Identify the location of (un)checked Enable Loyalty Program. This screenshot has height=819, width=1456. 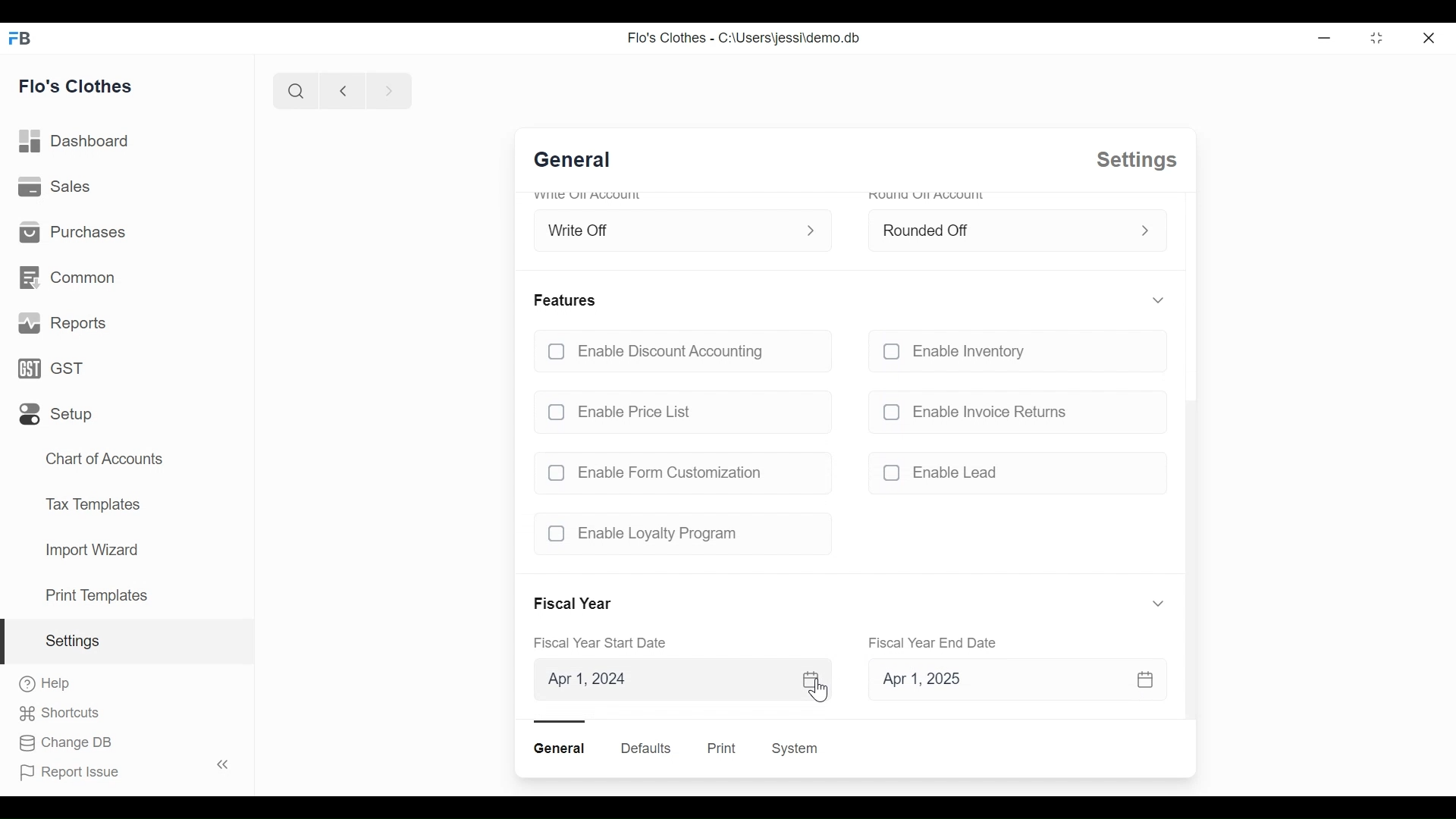
(676, 534).